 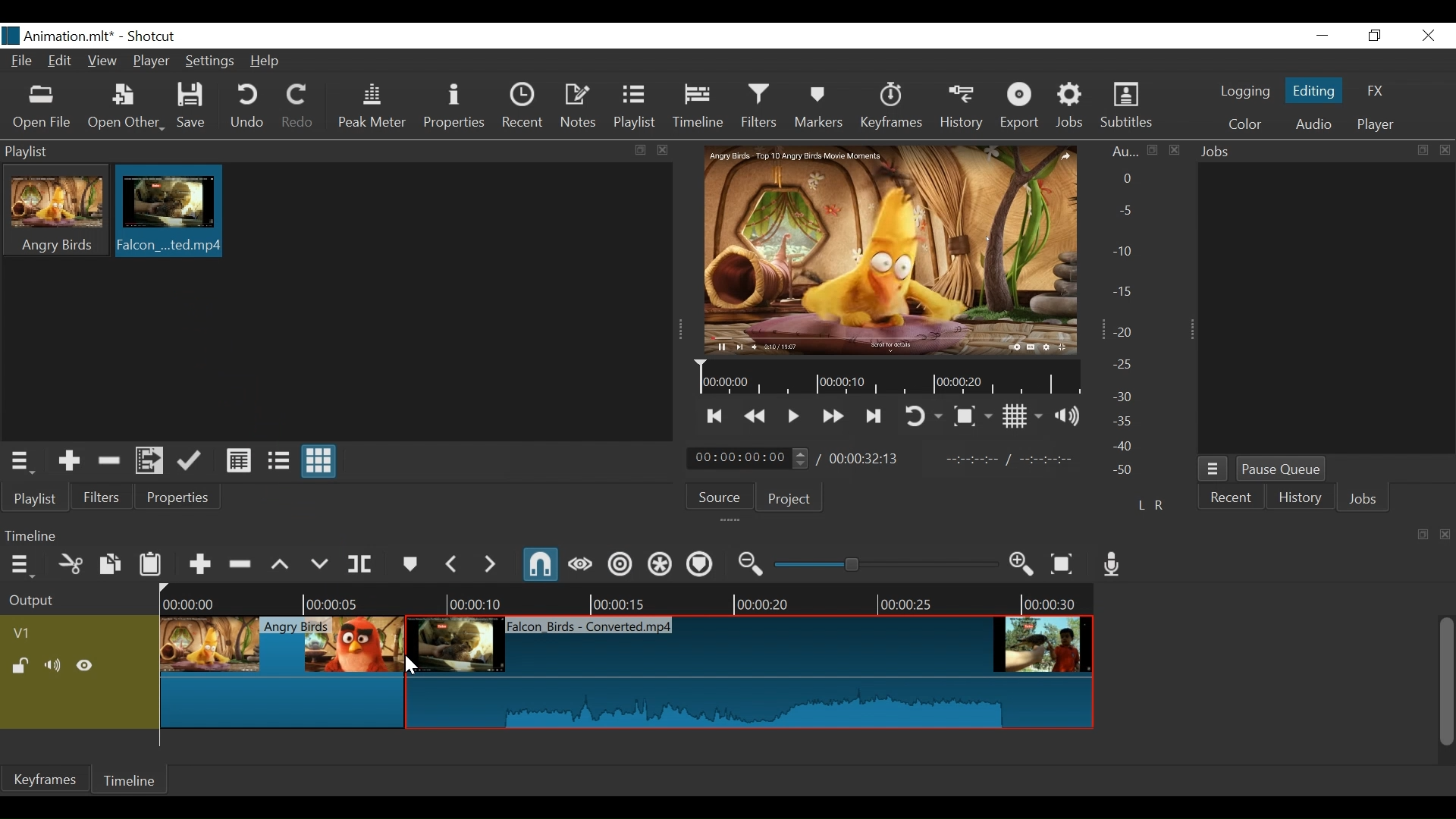 What do you see at coordinates (71, 563) in the screenshot?
I see `Cut` at bounding box center [71, 563].